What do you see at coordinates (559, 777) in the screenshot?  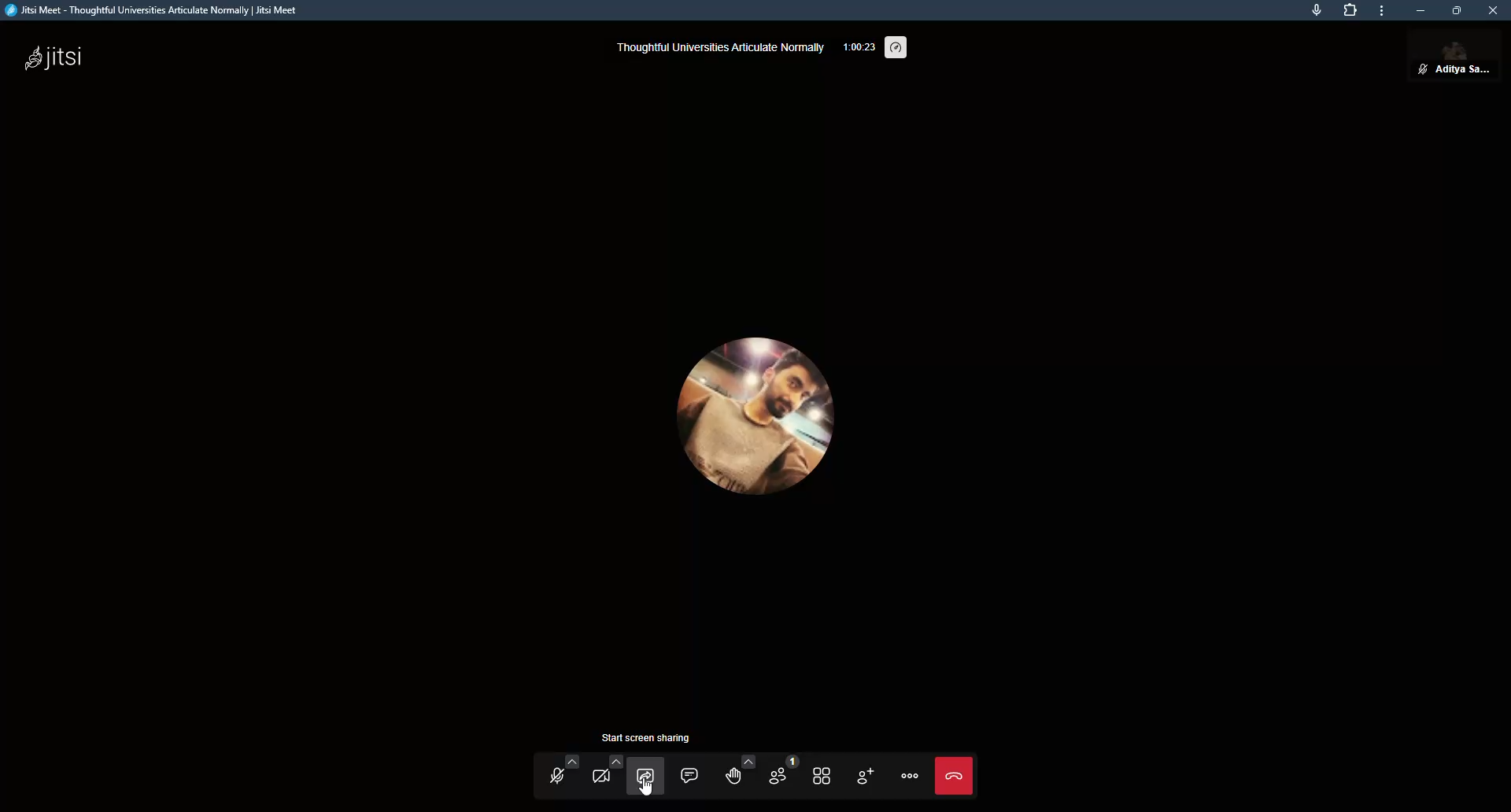 I see `start mic` at bounding box center [559, 777].